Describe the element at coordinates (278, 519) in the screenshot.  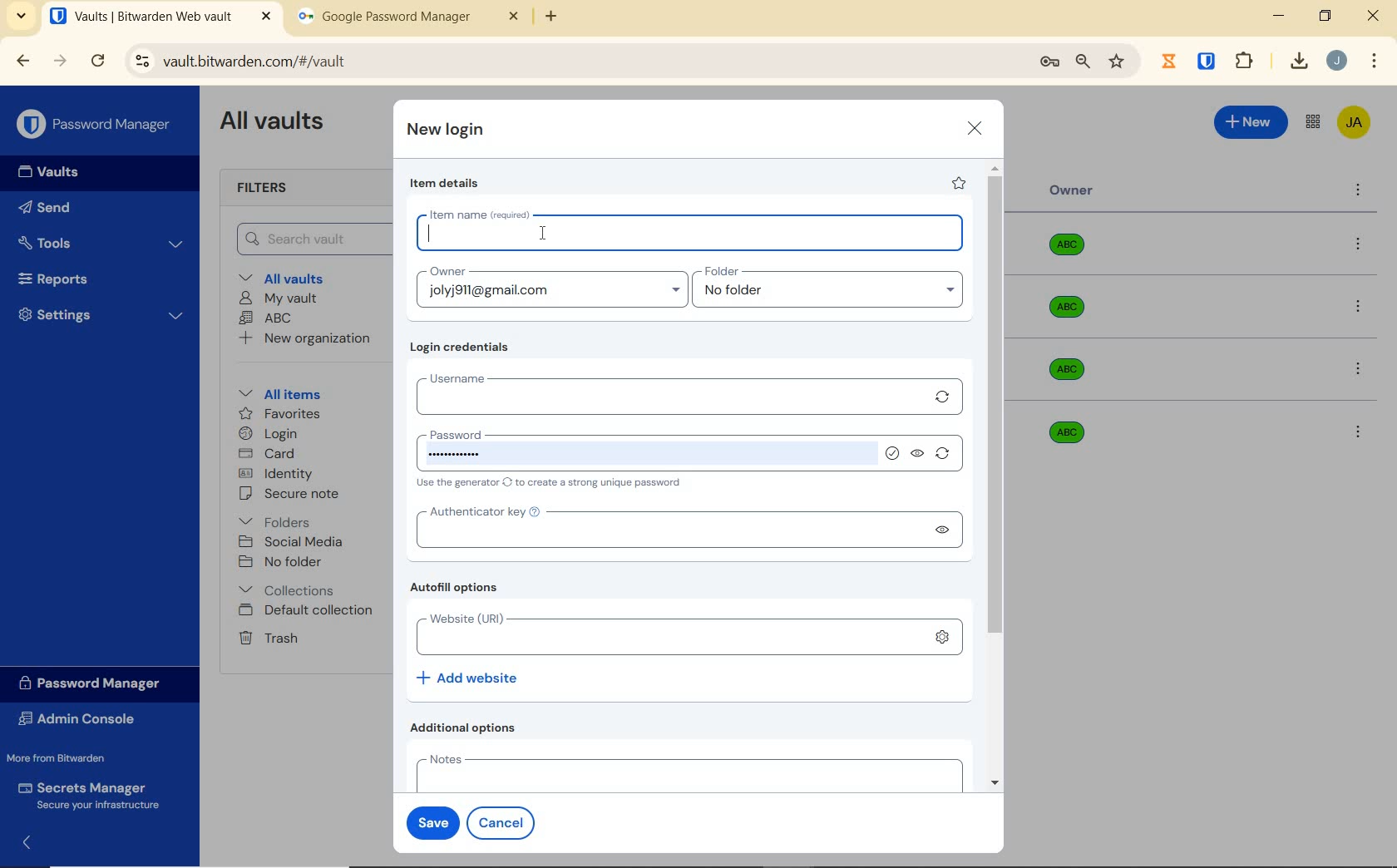
I see `Folders` at that location.